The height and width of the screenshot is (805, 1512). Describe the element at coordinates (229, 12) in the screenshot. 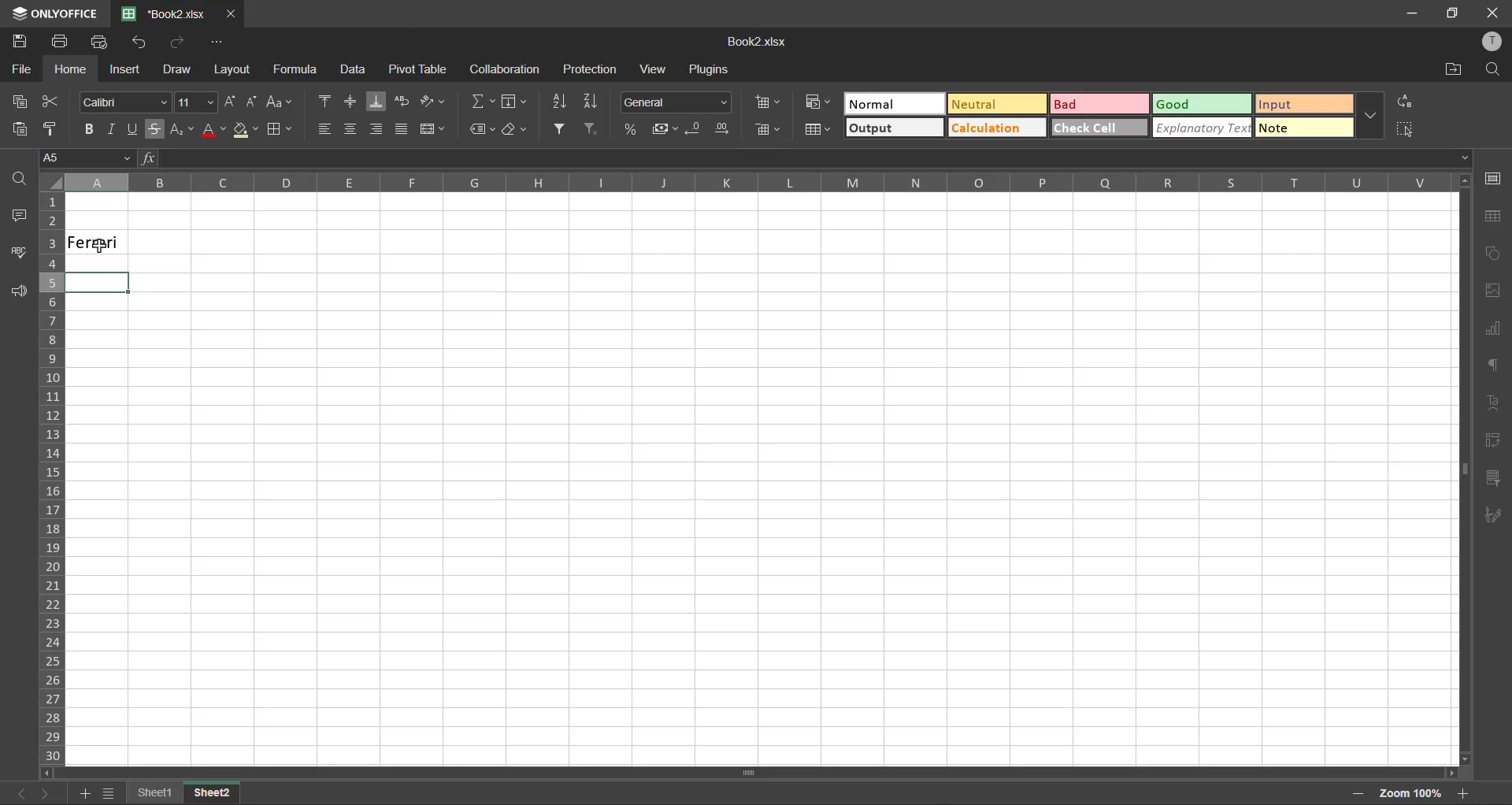

I see `close tab` at that location.